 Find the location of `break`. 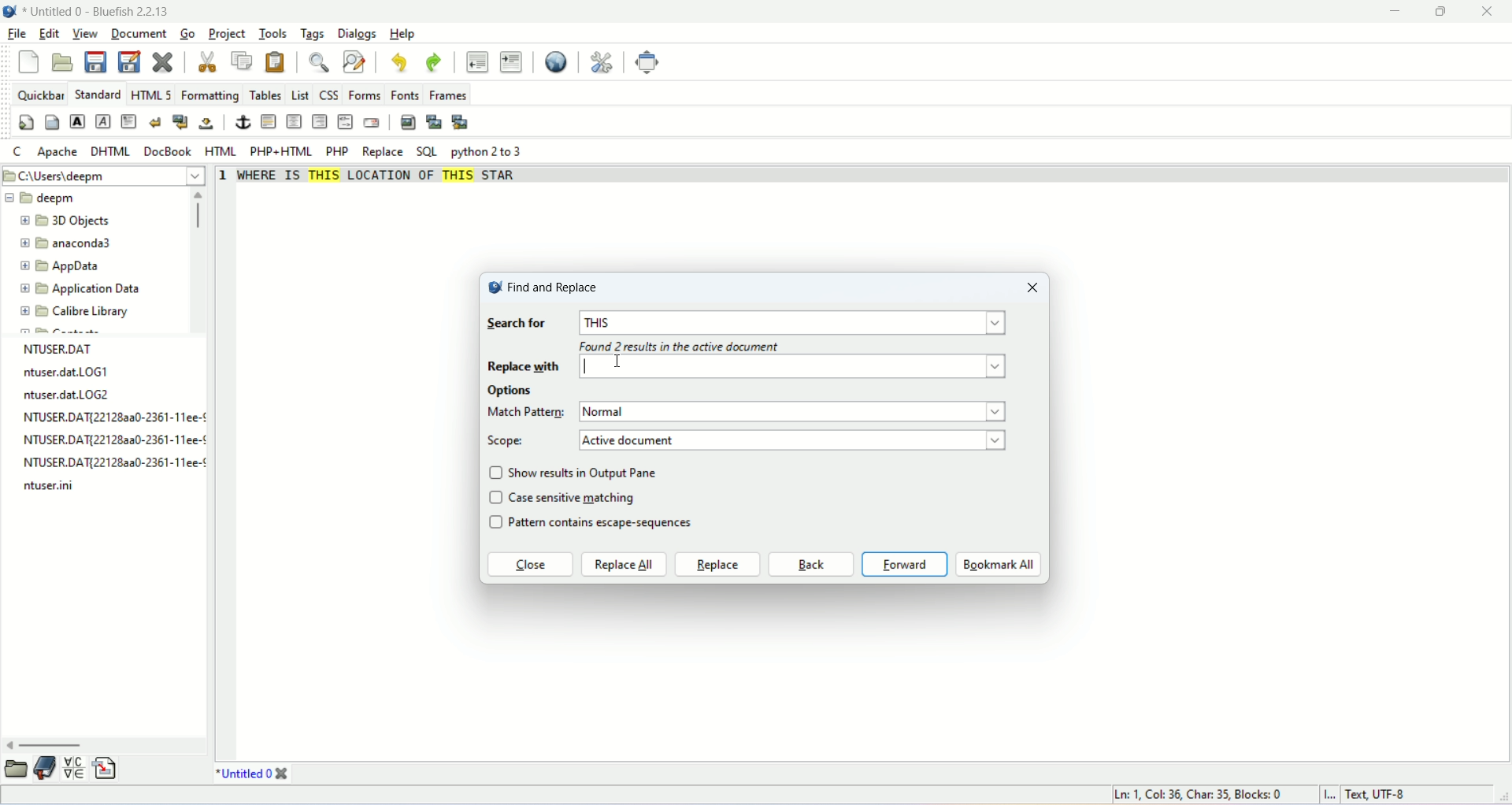

break is located at coordinates (156, 121).